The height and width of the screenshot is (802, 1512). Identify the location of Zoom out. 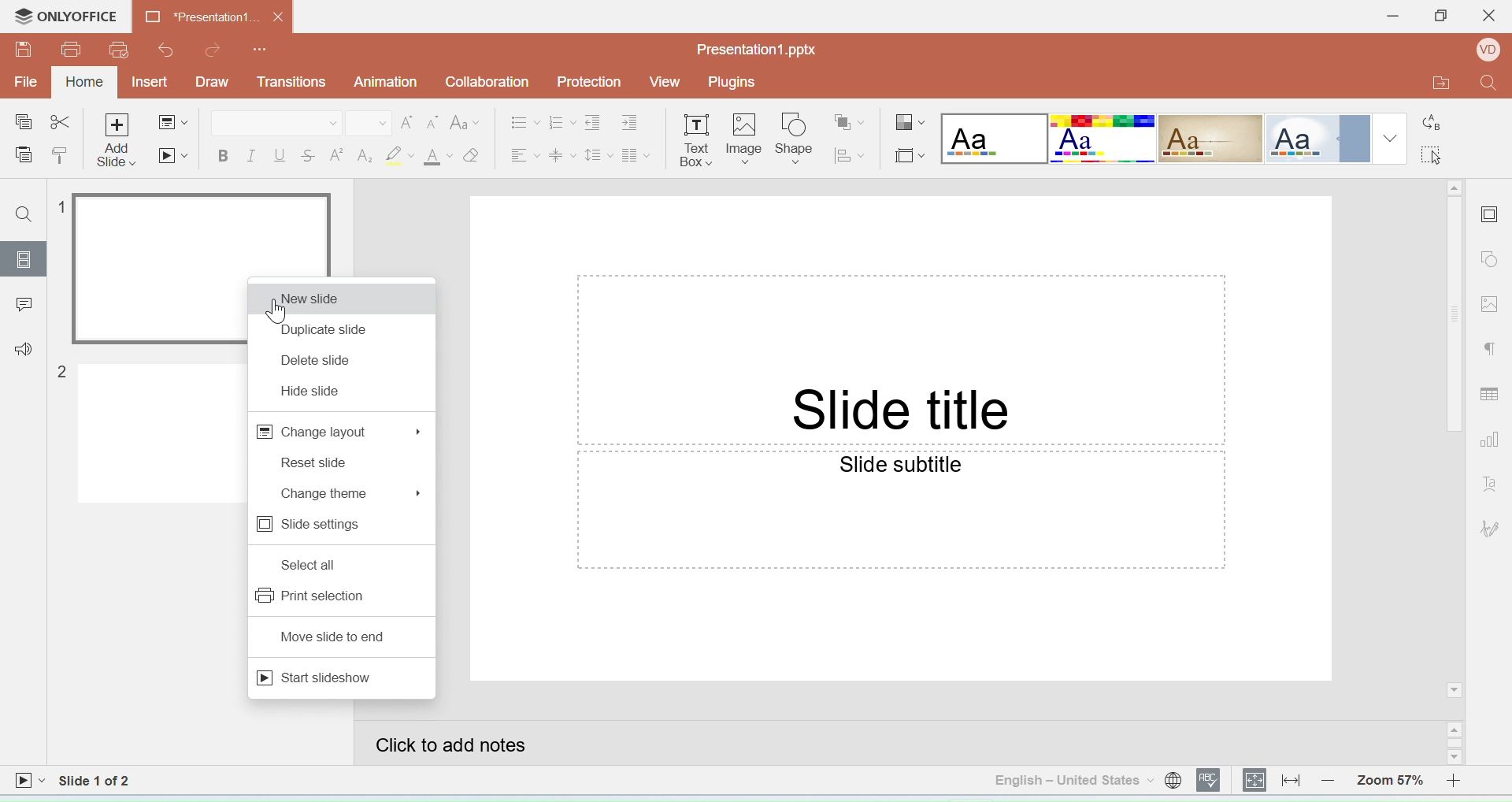
(1332, 779).